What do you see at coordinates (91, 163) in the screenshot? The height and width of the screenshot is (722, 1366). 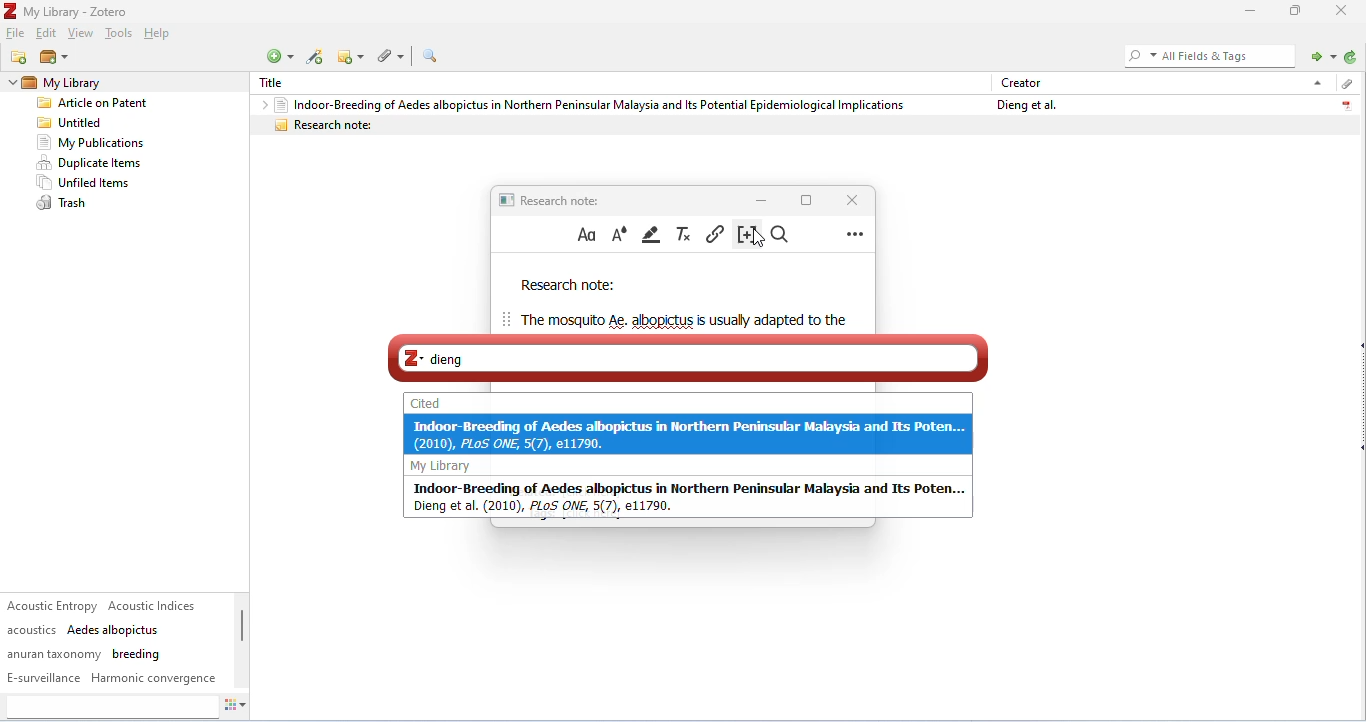 I see `duplicate items` at bounding box center [91, 163].